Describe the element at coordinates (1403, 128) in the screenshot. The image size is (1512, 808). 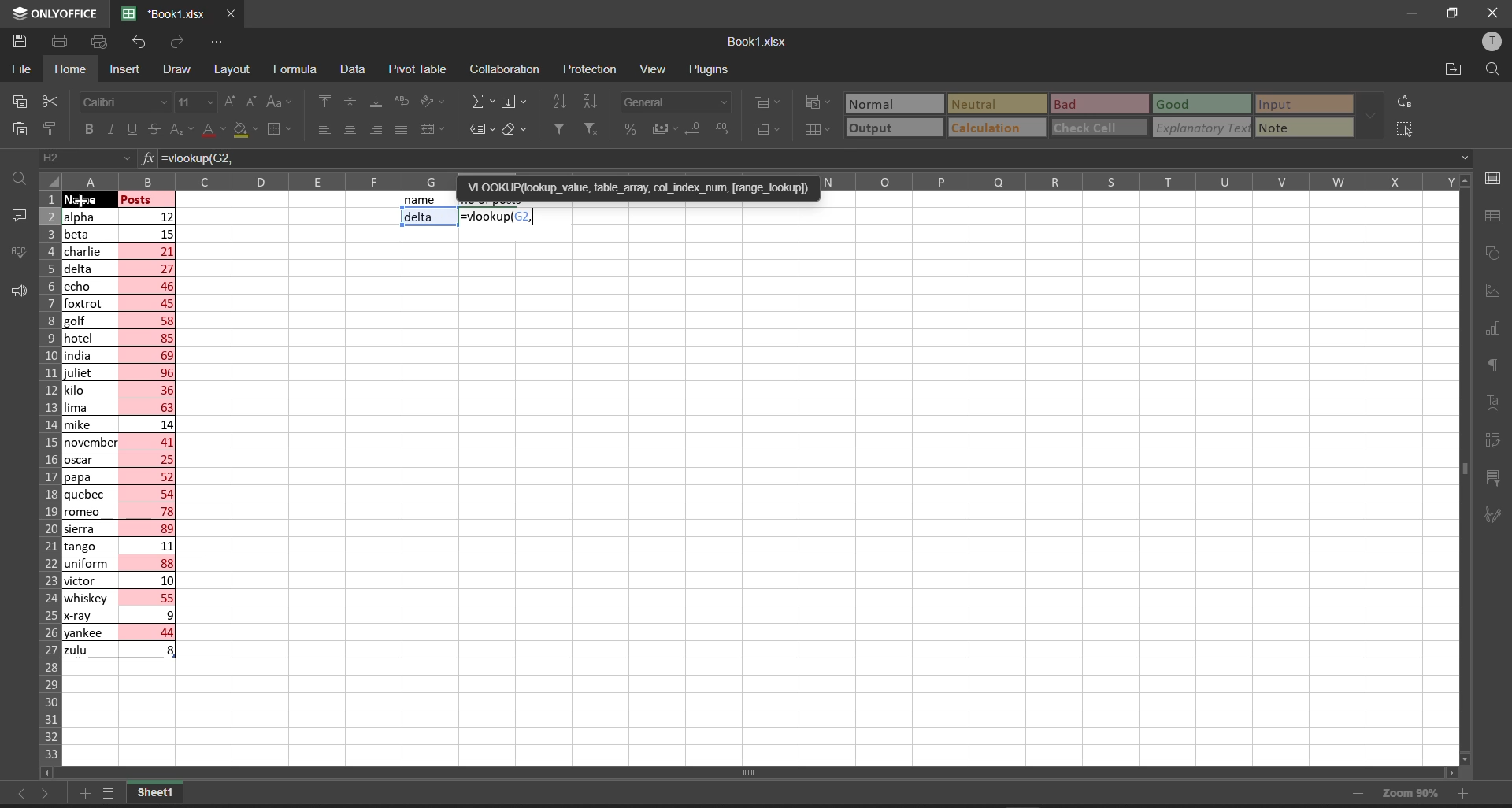
I see `select all` at that location.